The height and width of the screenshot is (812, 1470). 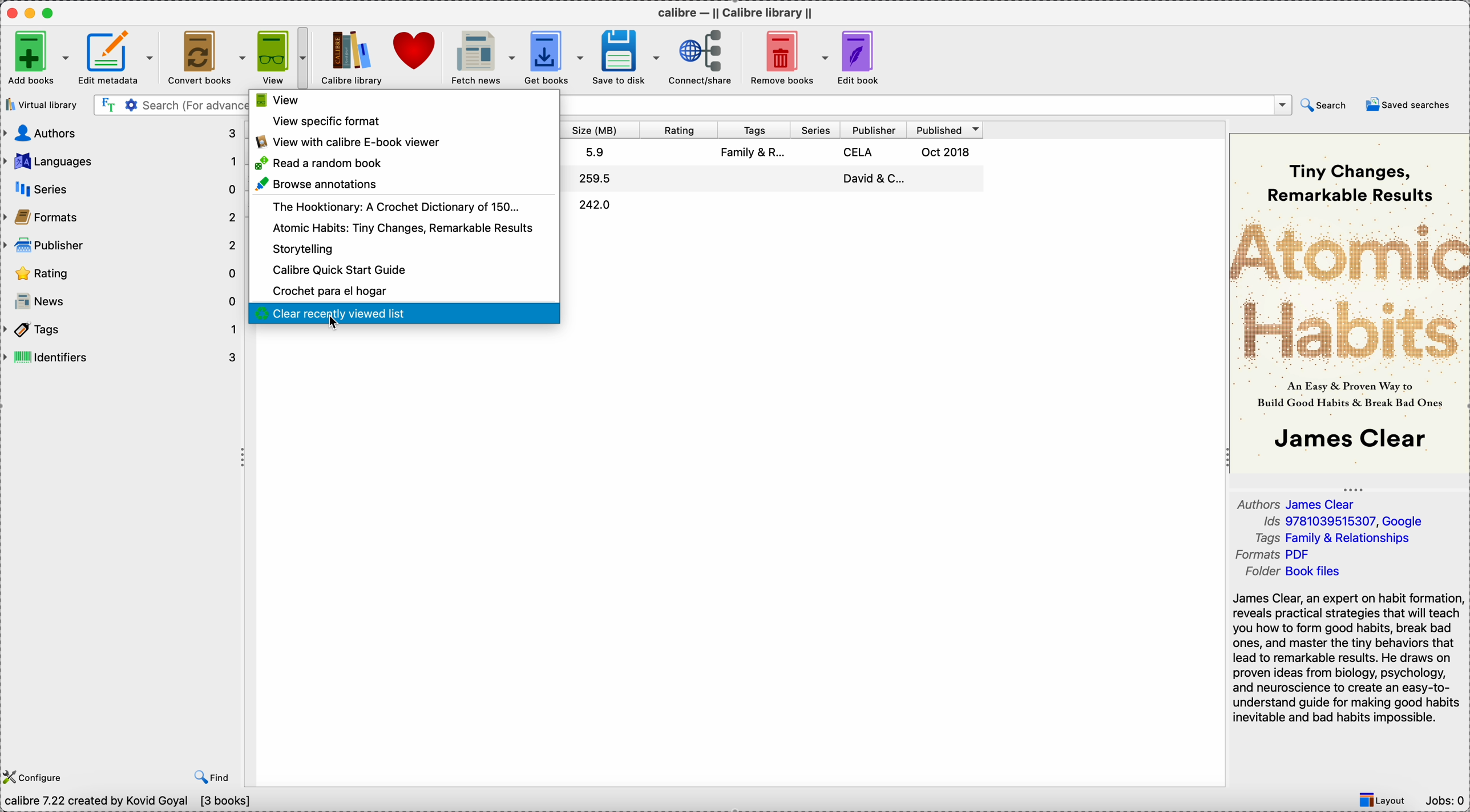 I want to click on edit metadata, so click(x=119, y=57).